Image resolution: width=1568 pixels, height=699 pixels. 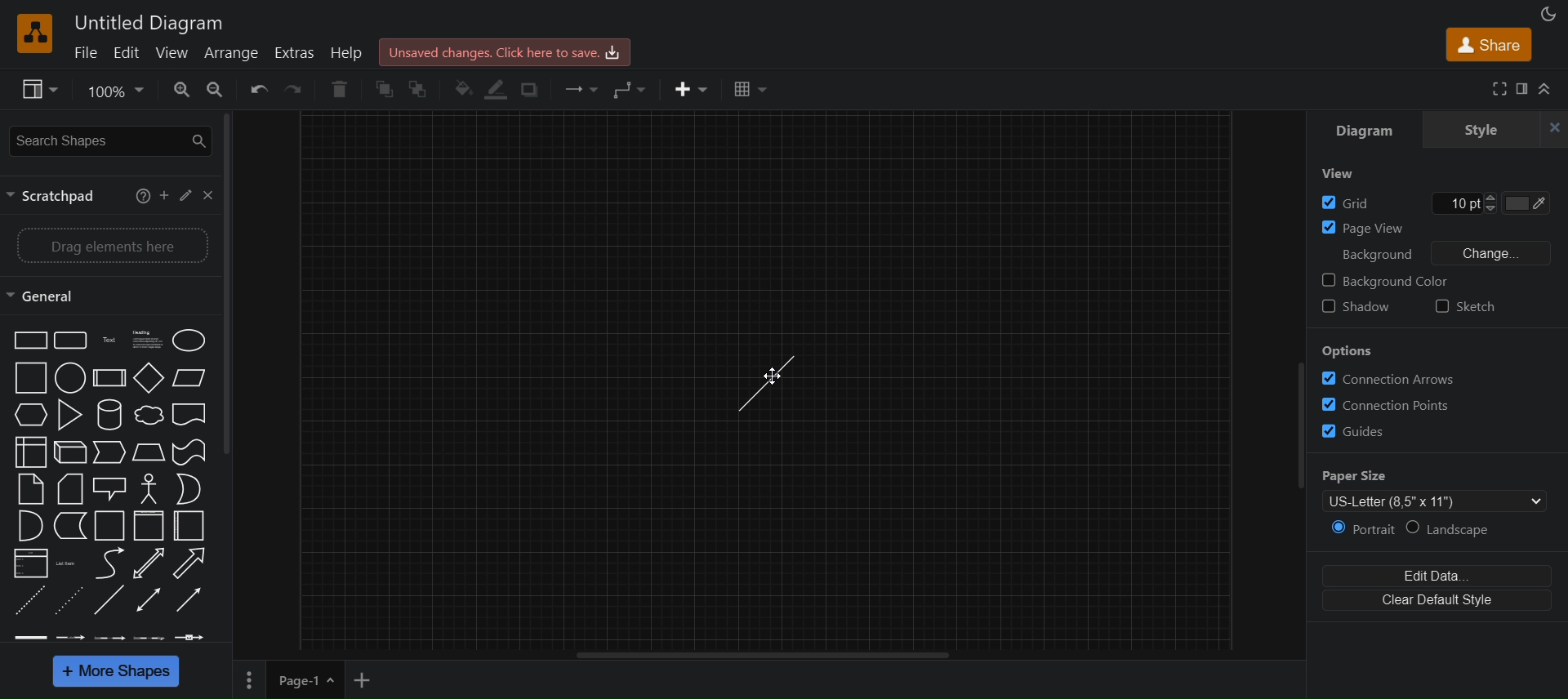 What do you see at coordinates (29, 563) in the screenshot?
I see `List` at bounding box center [29, 563].